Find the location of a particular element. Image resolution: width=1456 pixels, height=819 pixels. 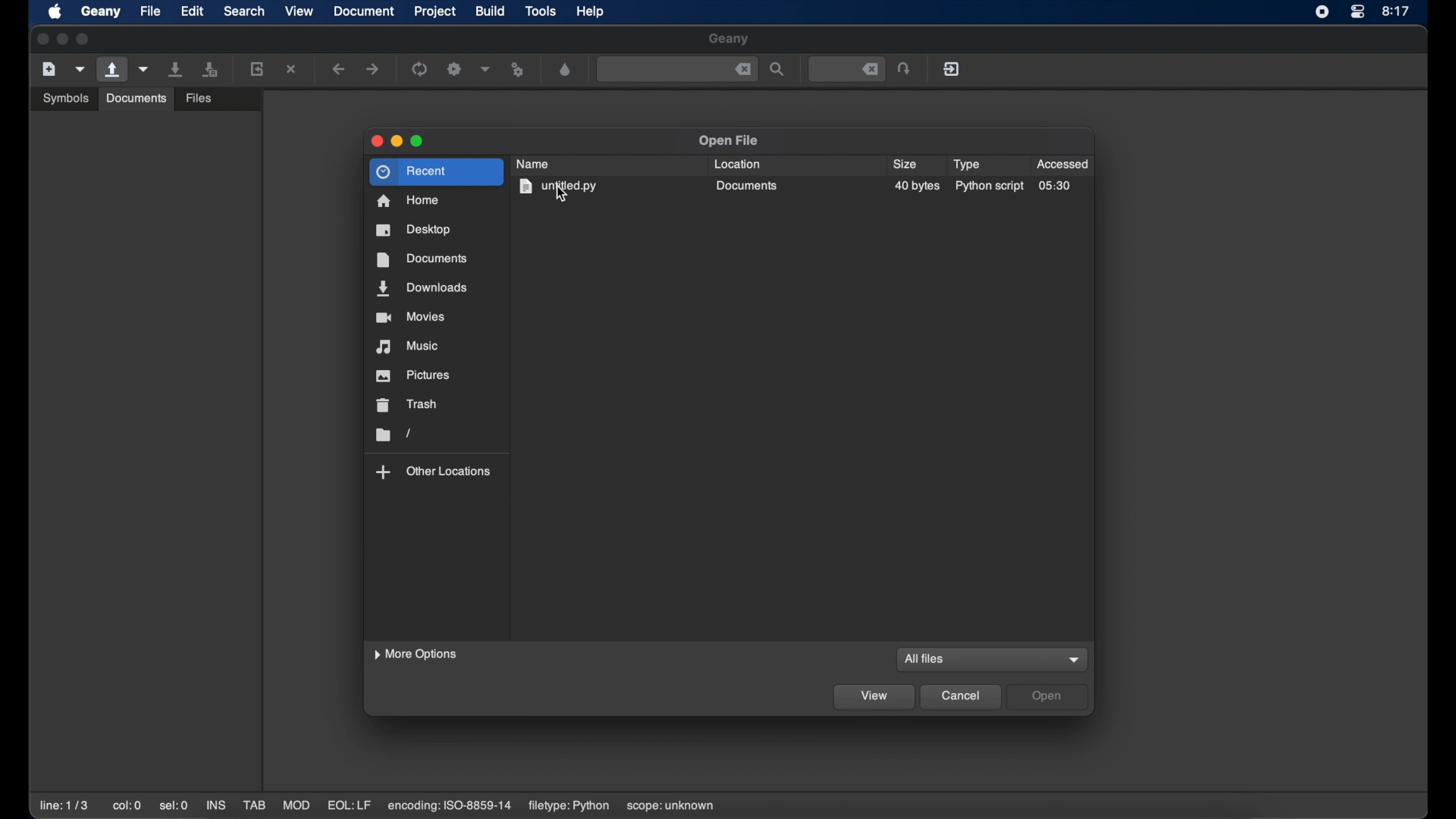

documents is located at coordinates (422, 260).